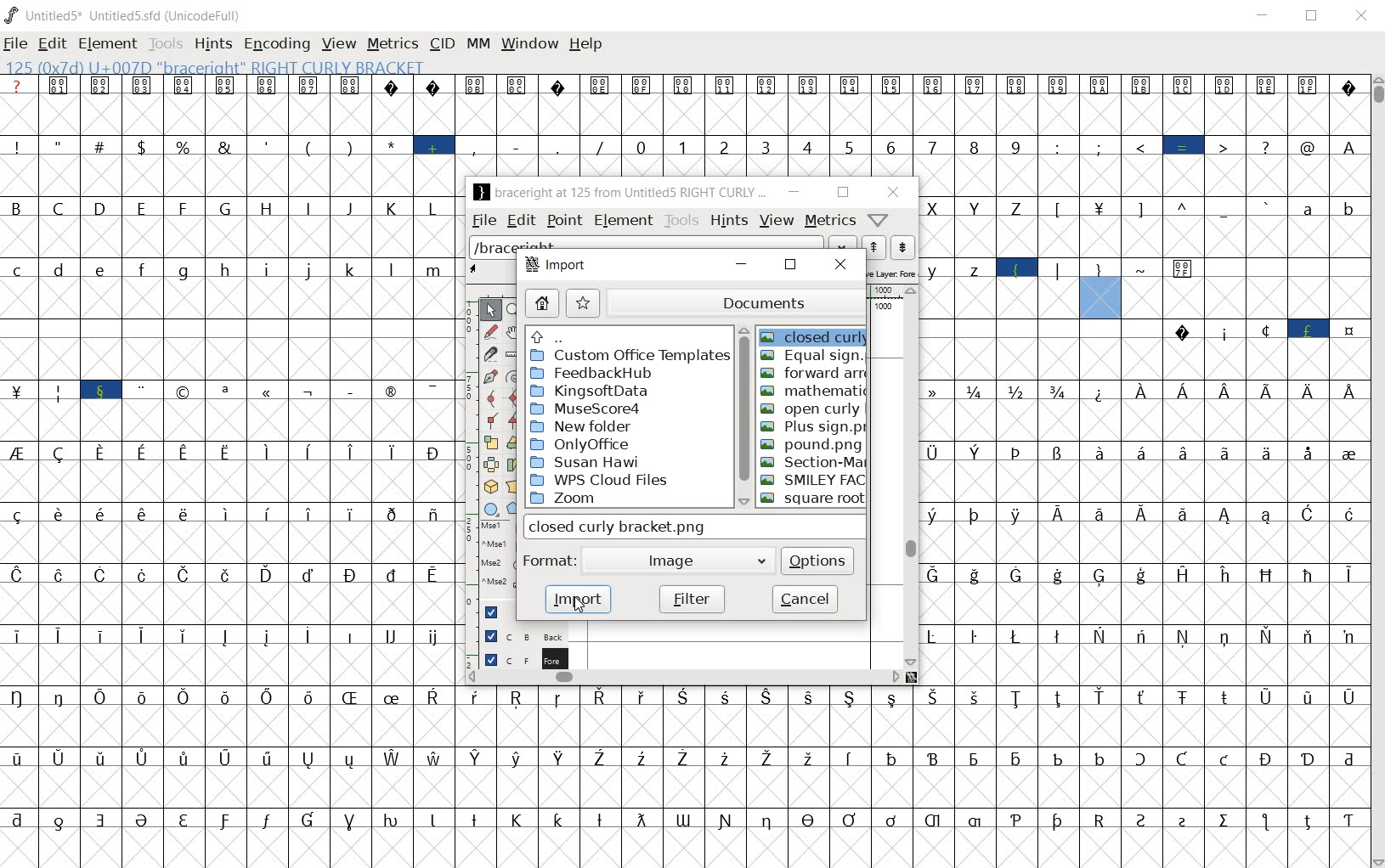  What do you see at coordinates (680, 220) in the screenshot?
I see `tools` at bounding box center [680, 220].